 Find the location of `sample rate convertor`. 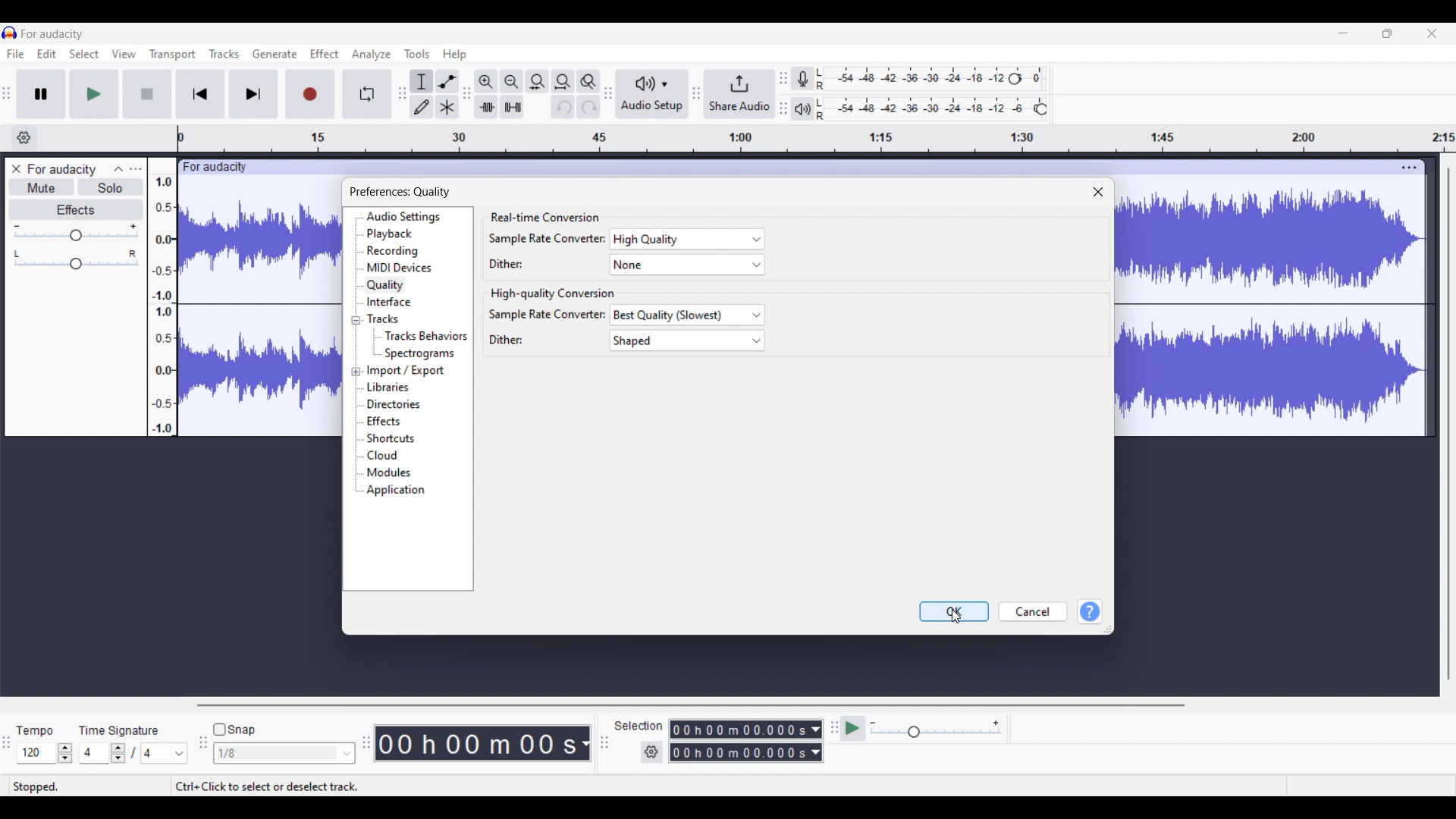

sample rate convertor is located at coordinates (547, 237).